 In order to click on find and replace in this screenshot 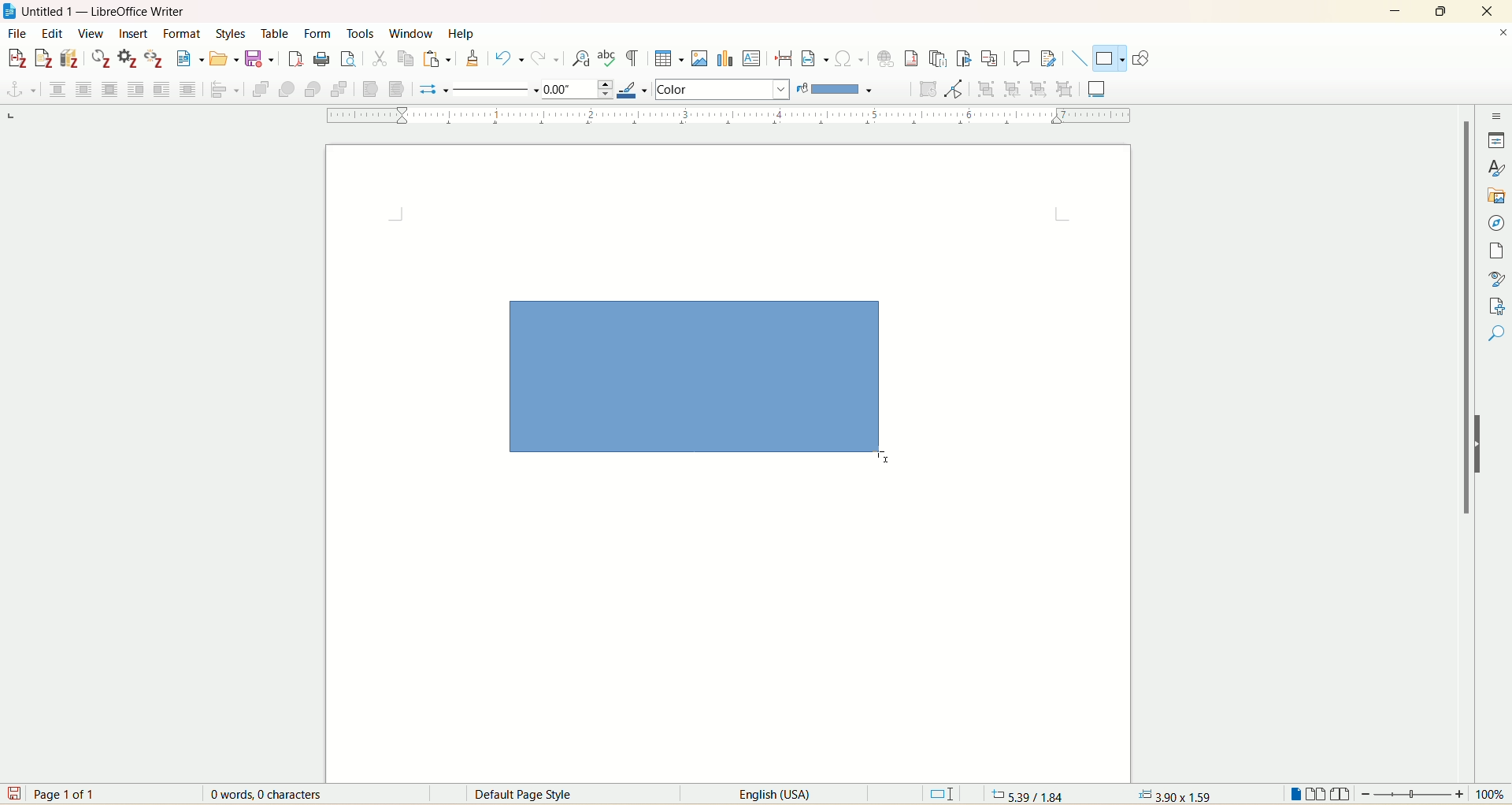, I will do `click(582, 59)`.